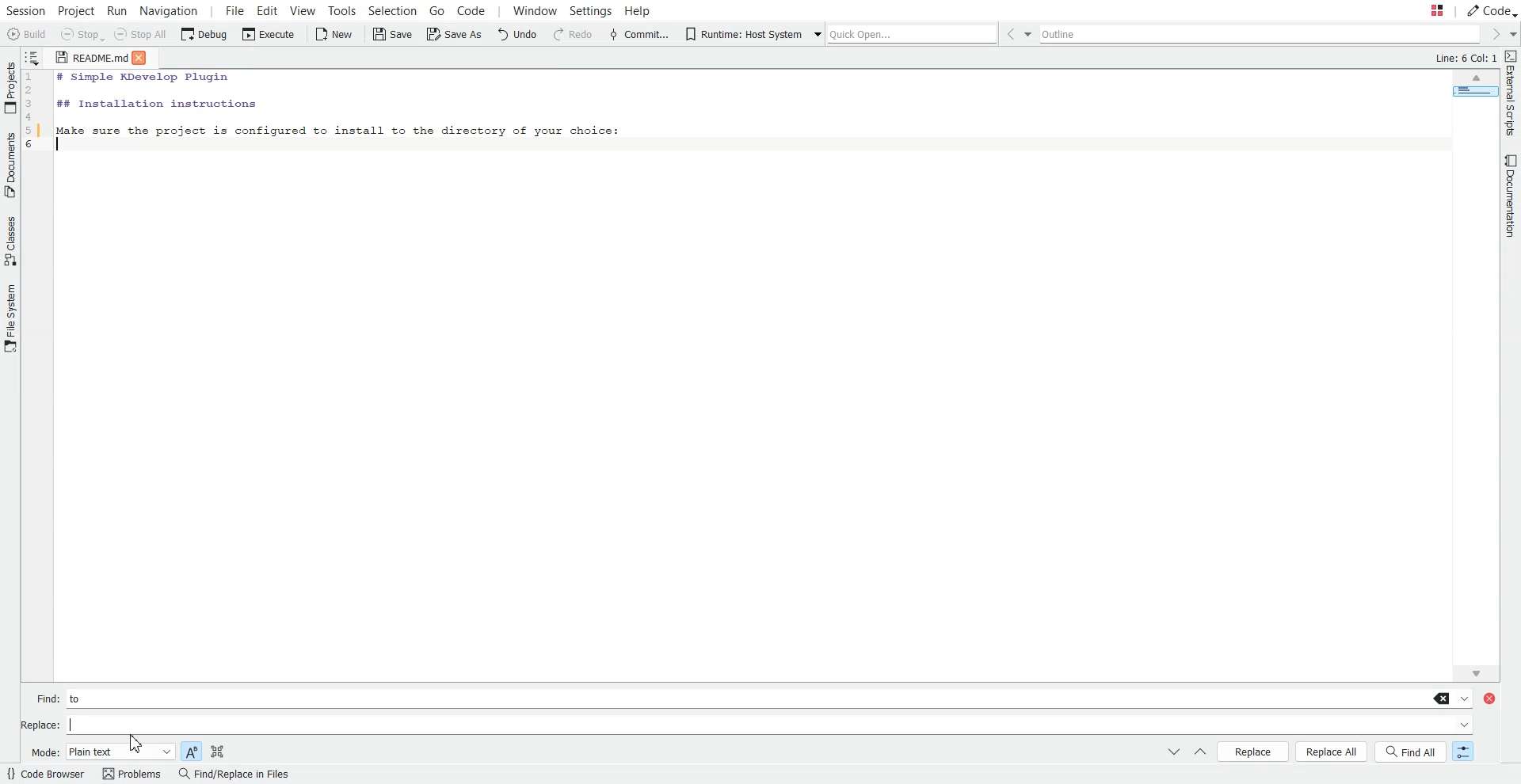 Image resolution: width=1521 pixels, height=784 pixels. I want to click on Save as, so click(453, 36).